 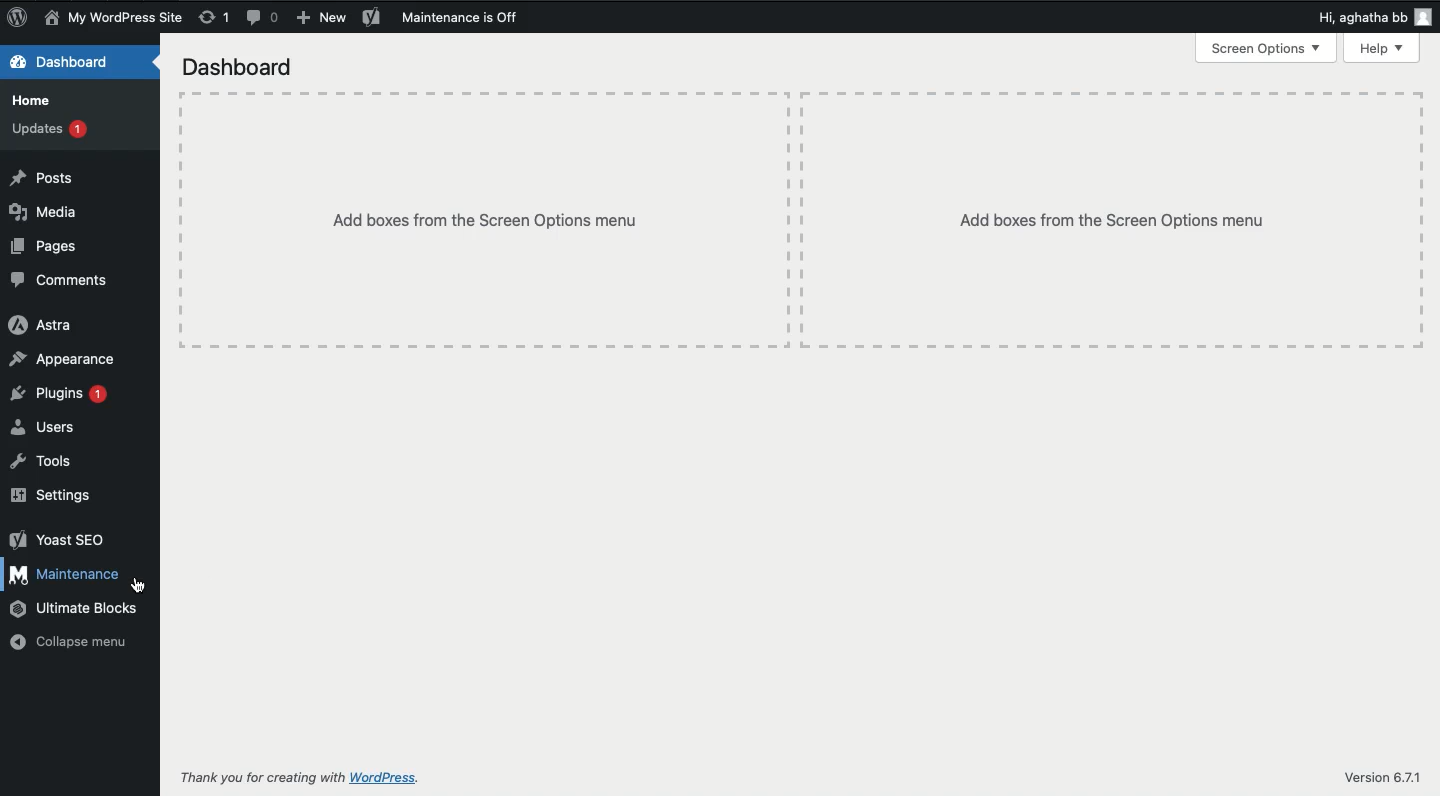 What do you see at coordinates (49, 247) in the screenshot?
I see `Pages` at bounding box center [49, 247].